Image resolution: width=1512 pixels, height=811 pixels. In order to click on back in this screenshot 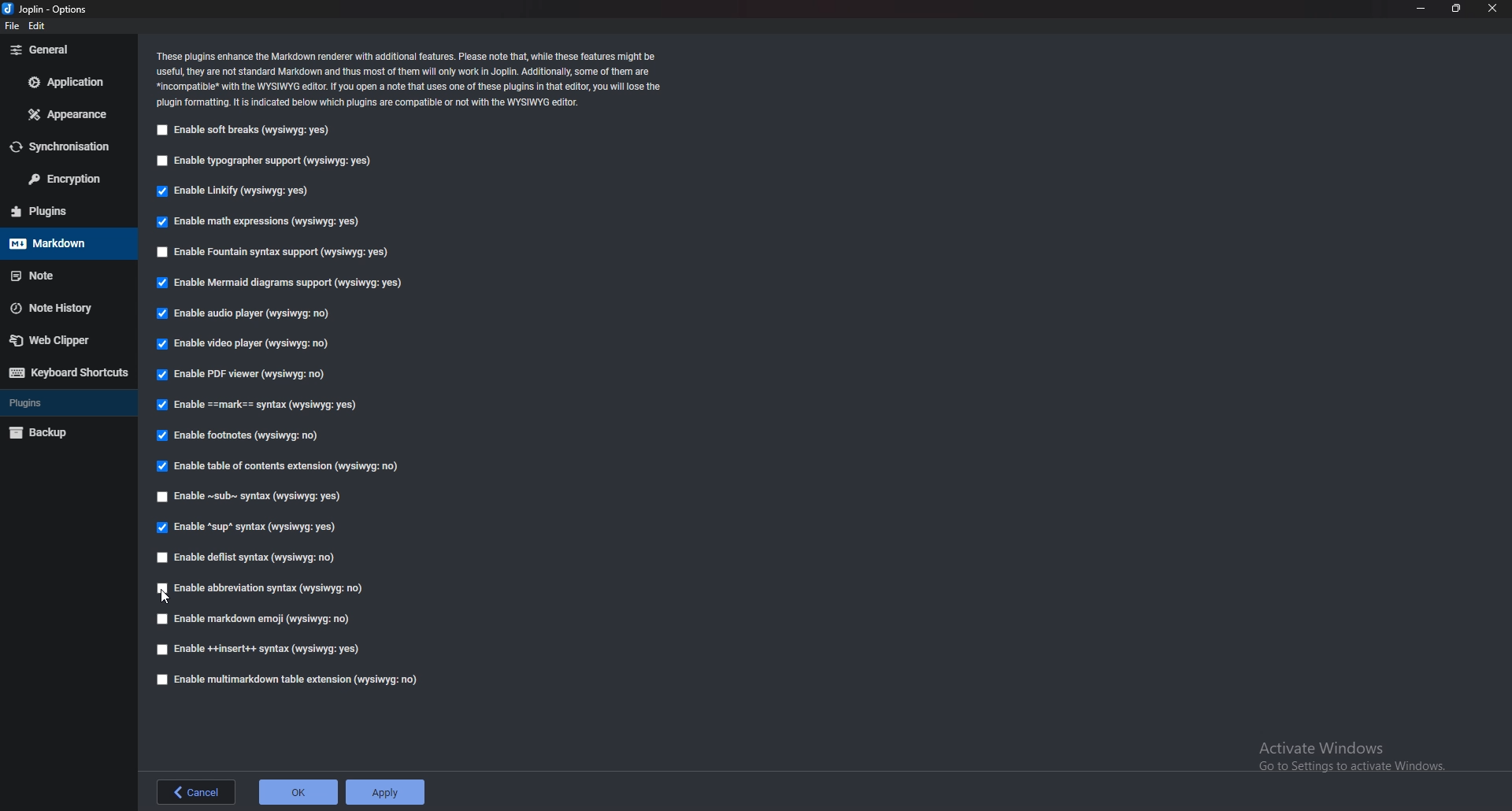, I will do `click(196, 793)`.